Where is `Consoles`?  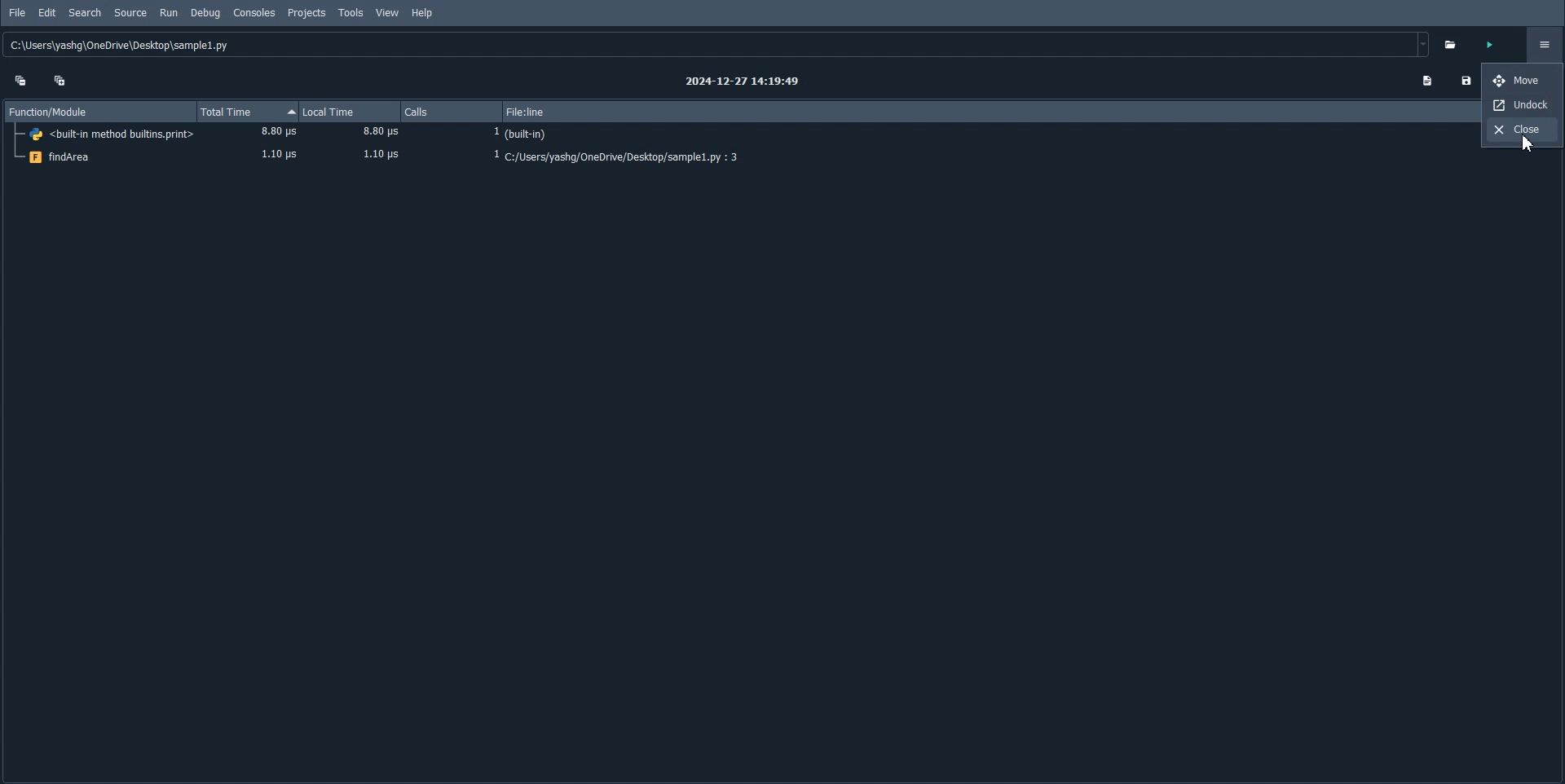
Consoles is located at coordinates (254, 12).